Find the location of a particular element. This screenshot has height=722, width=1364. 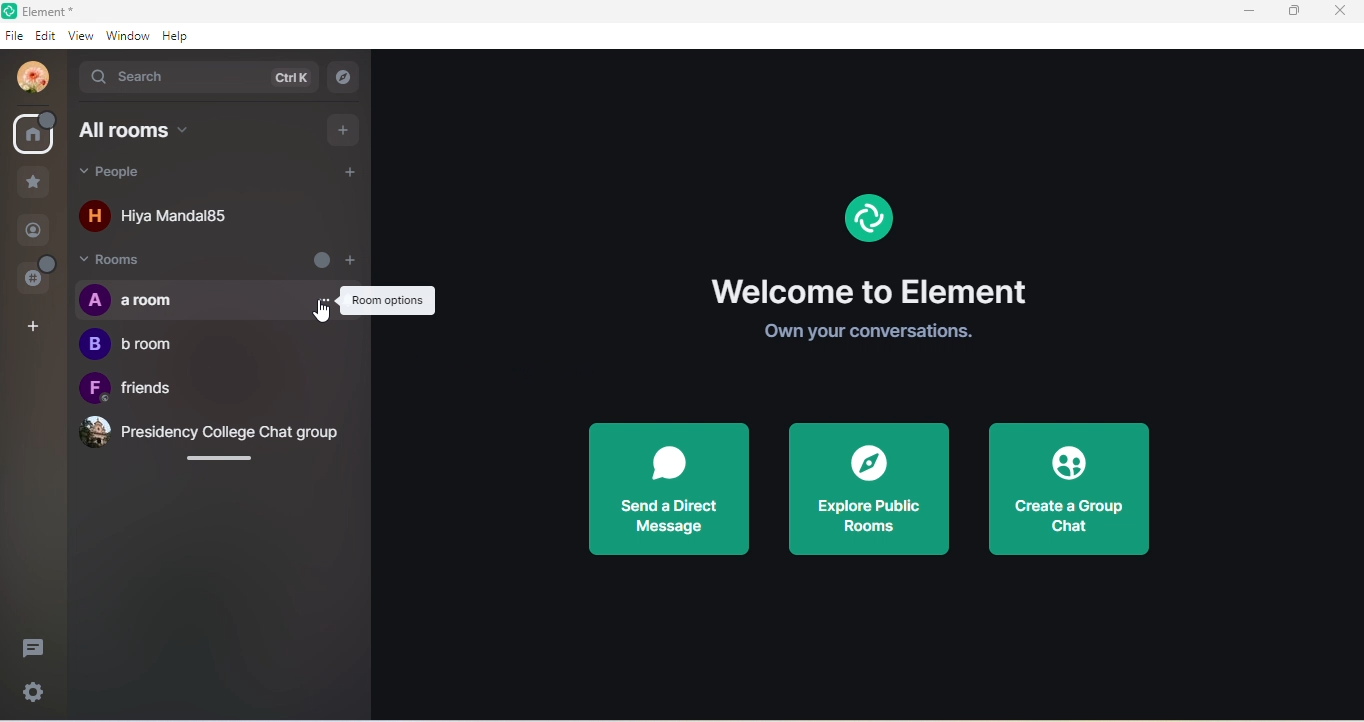

minimize is located at coordinates (1237, 12).